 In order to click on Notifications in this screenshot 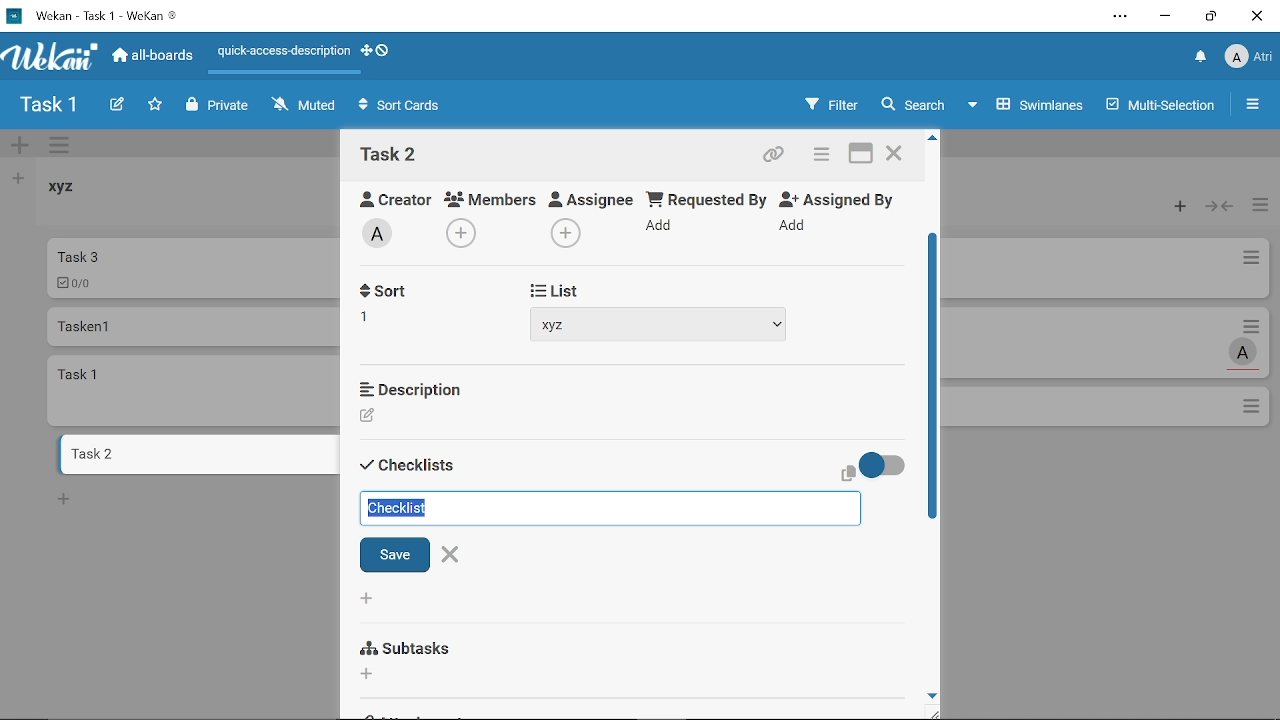, I will do `click(1201, 58)`.